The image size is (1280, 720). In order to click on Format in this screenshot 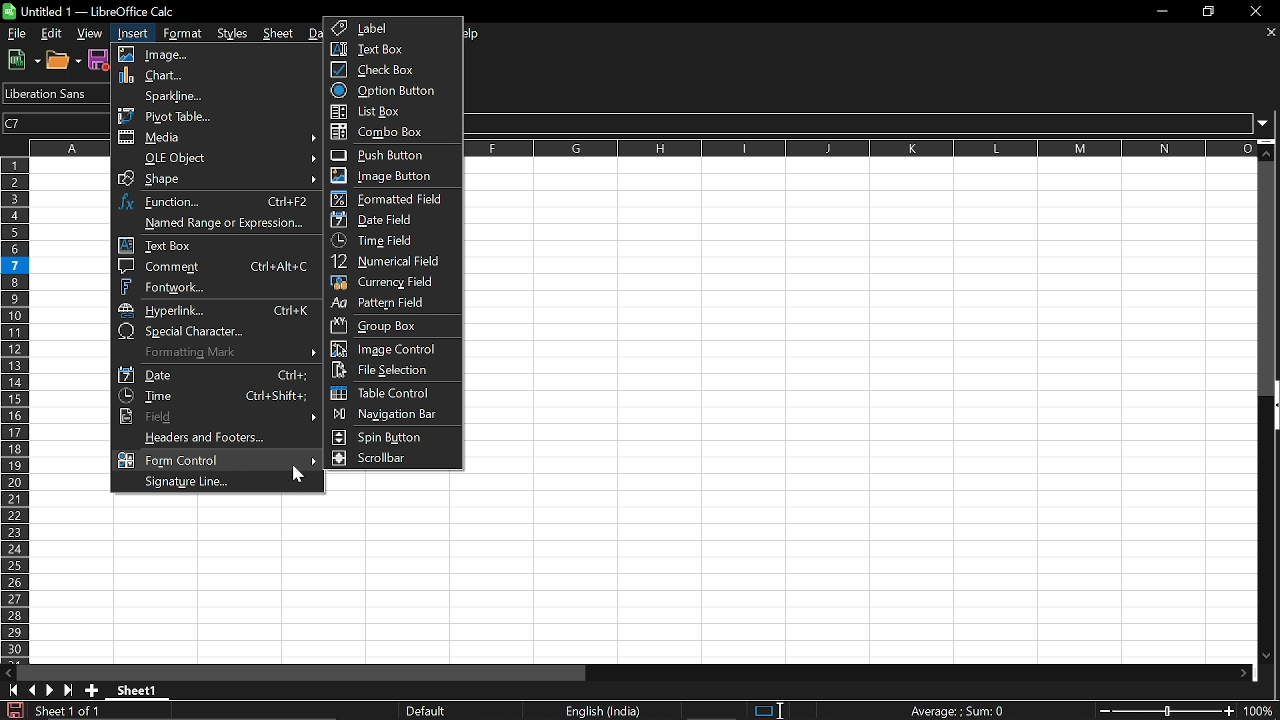, I will do `click(179, 34)`.